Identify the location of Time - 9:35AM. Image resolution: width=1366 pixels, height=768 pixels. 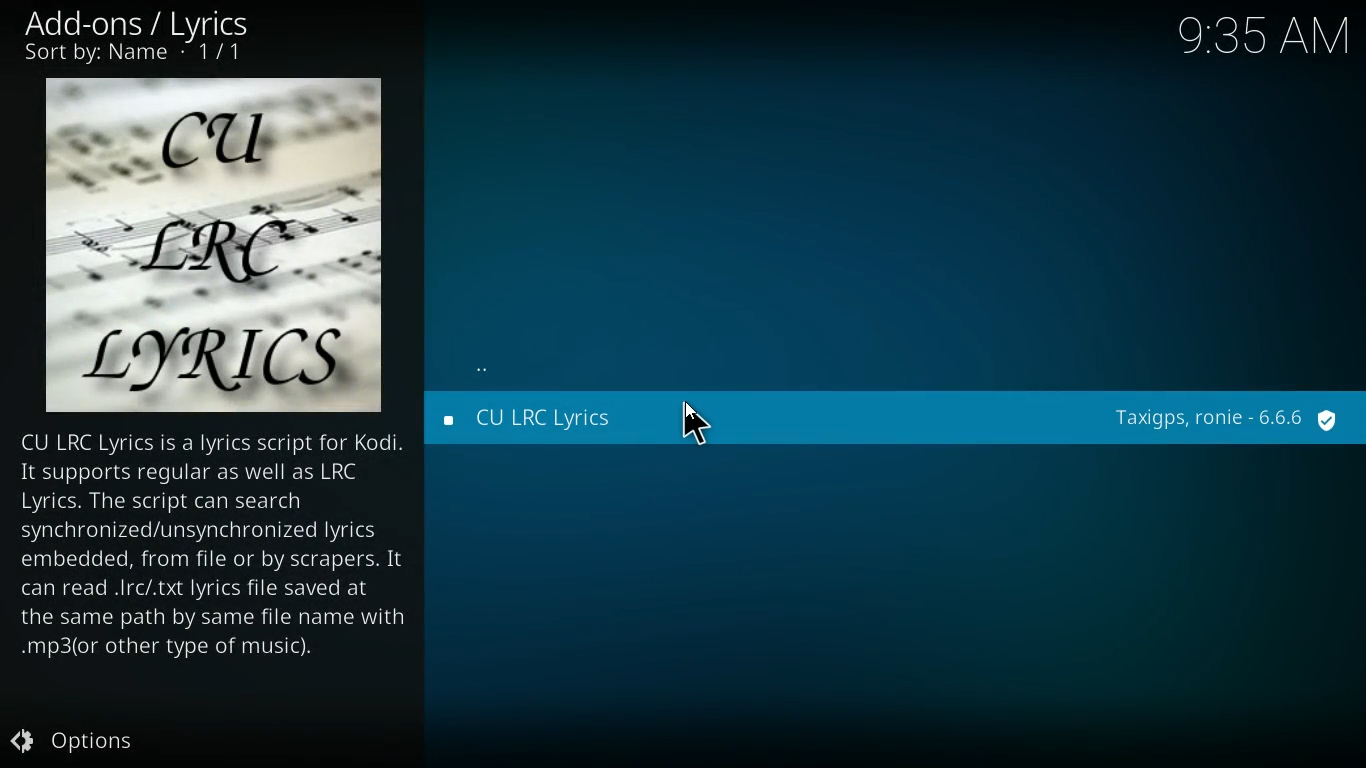
(1259, 33).